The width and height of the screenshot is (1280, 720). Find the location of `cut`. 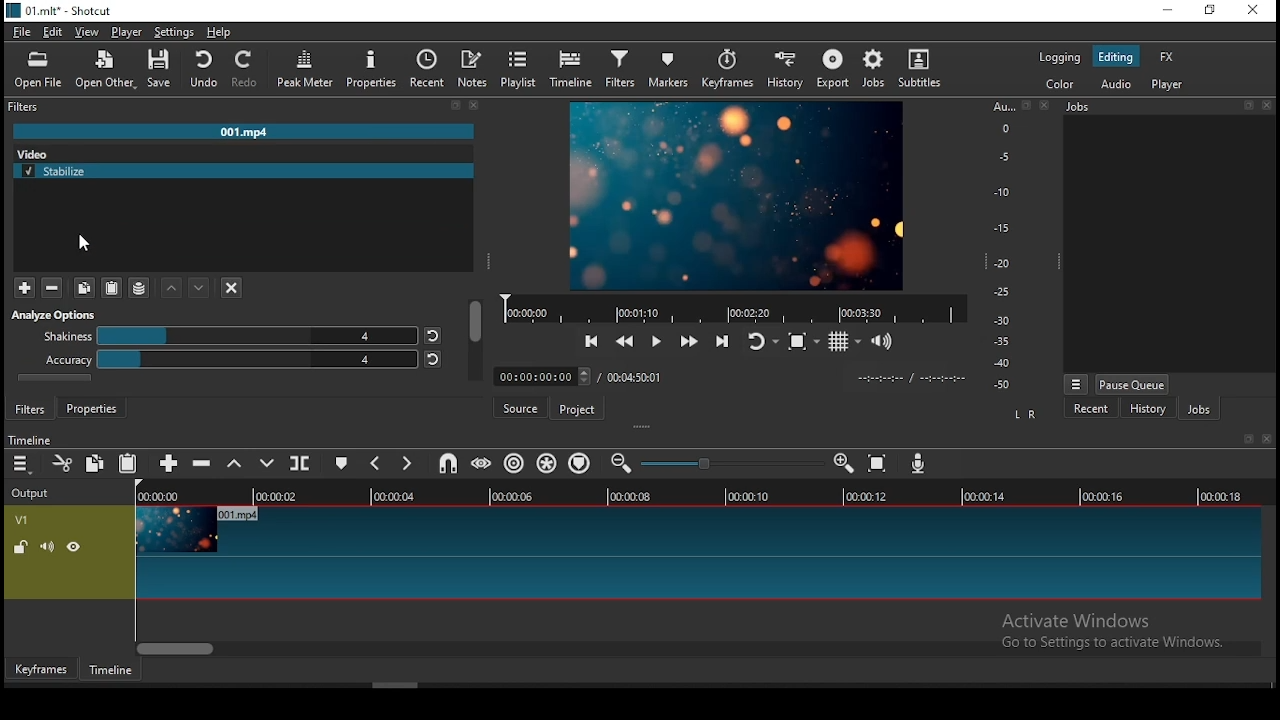

cut is located at coordinates (62, 462).